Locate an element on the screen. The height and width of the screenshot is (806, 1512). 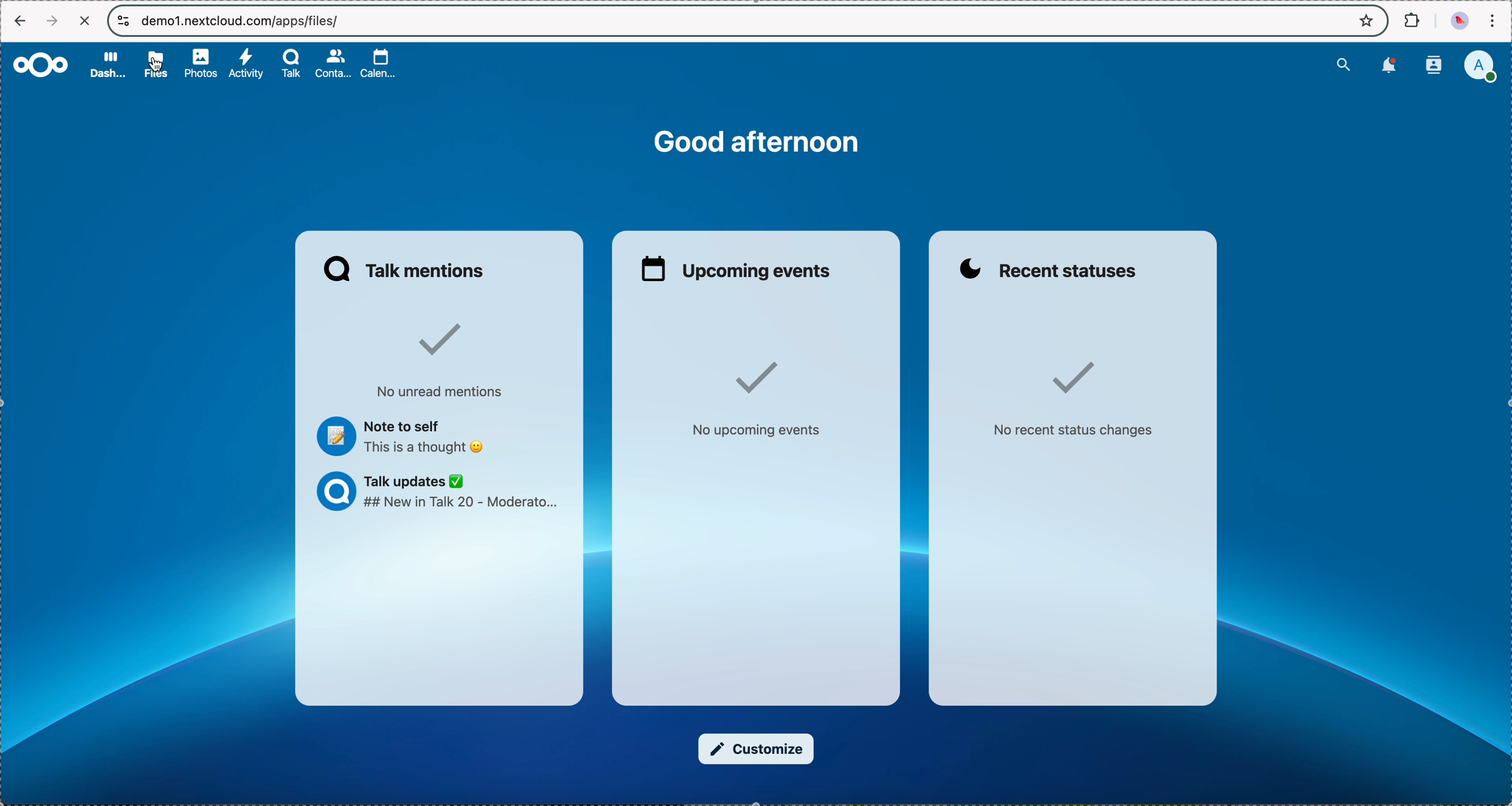
contacts is located at coordinates (1437, 64).